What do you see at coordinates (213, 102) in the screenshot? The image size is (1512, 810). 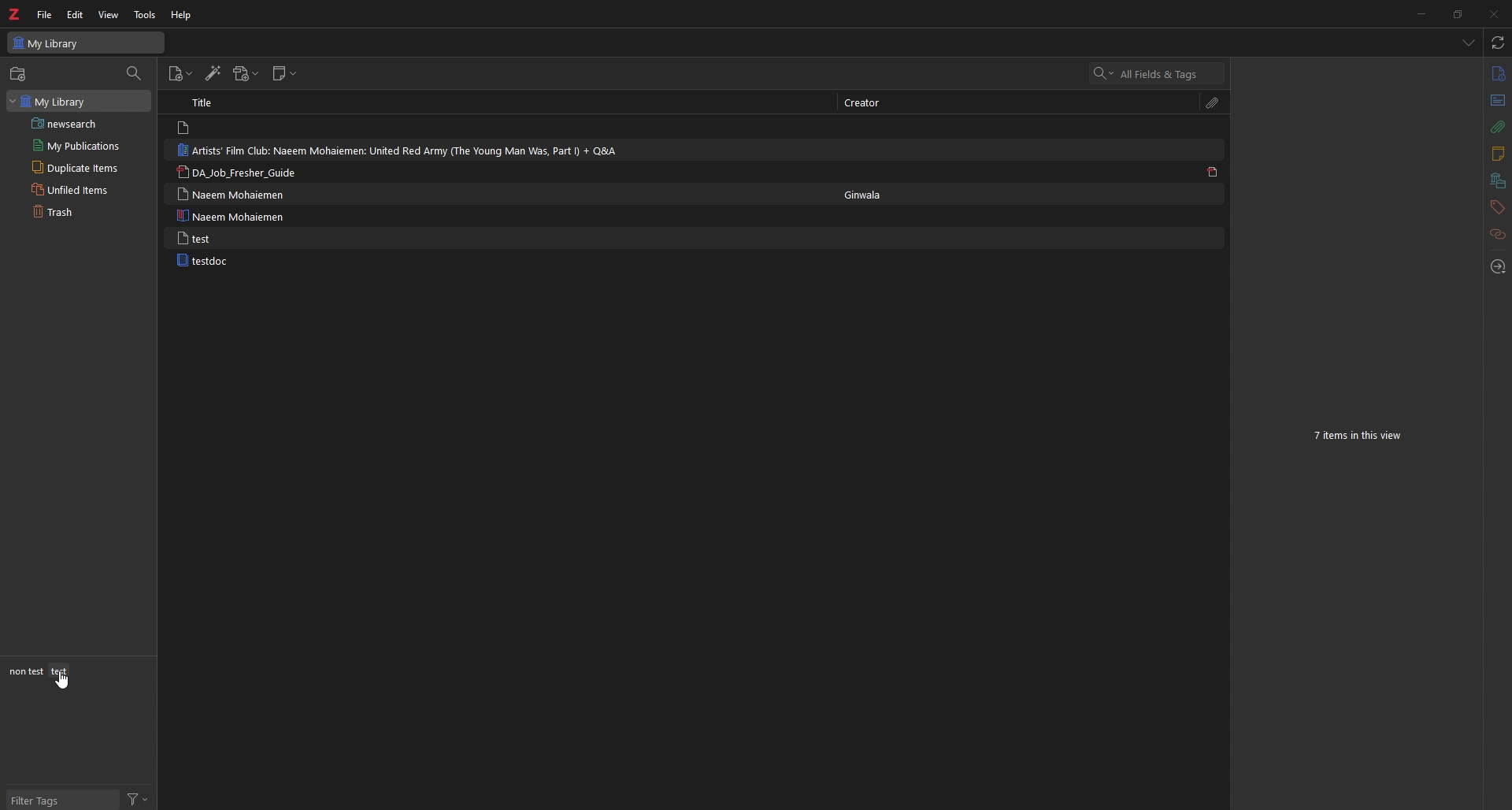 I see `title` at bounding box center [213, 102].